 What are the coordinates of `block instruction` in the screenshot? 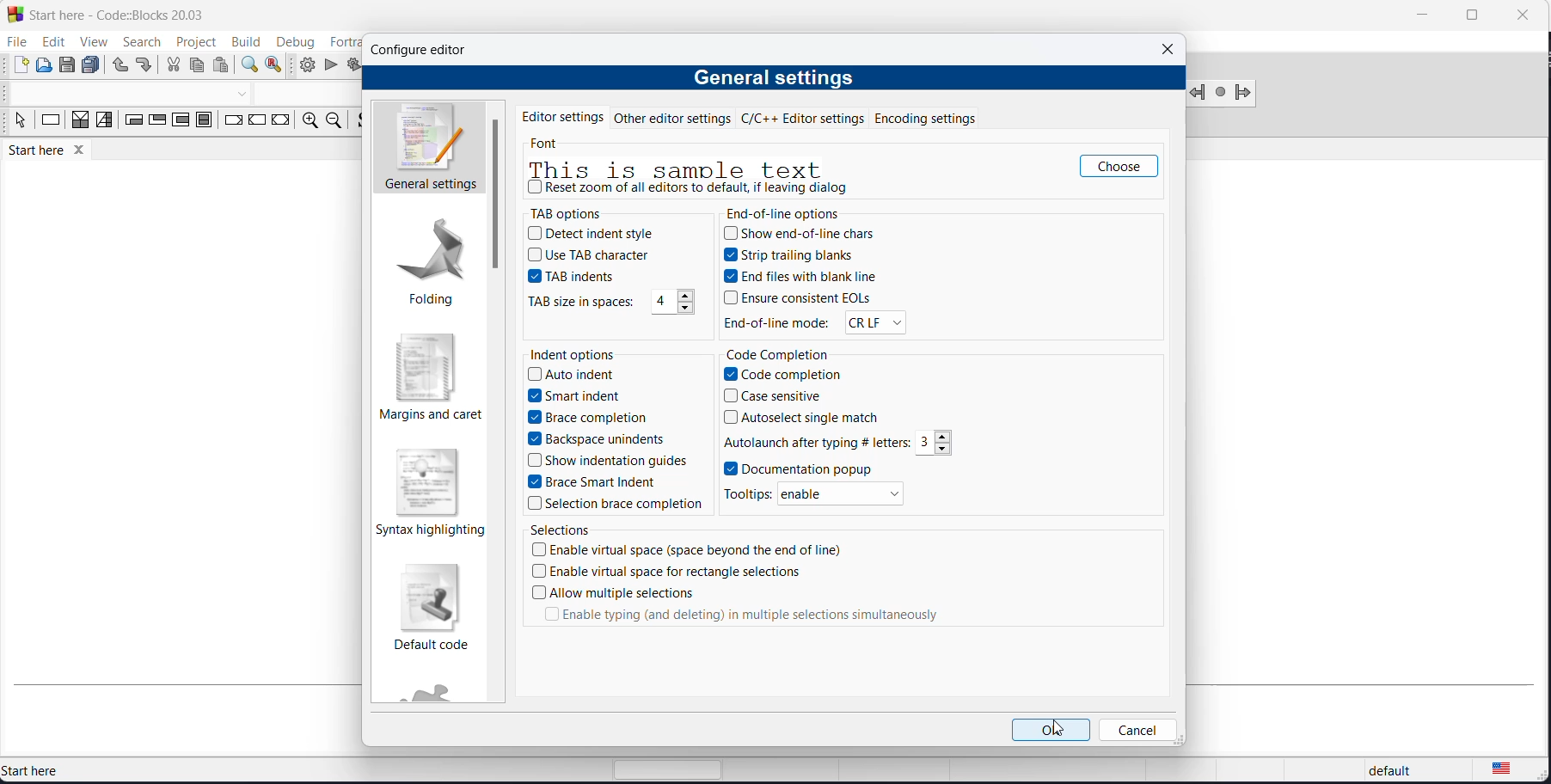 It's located at (203, 121).